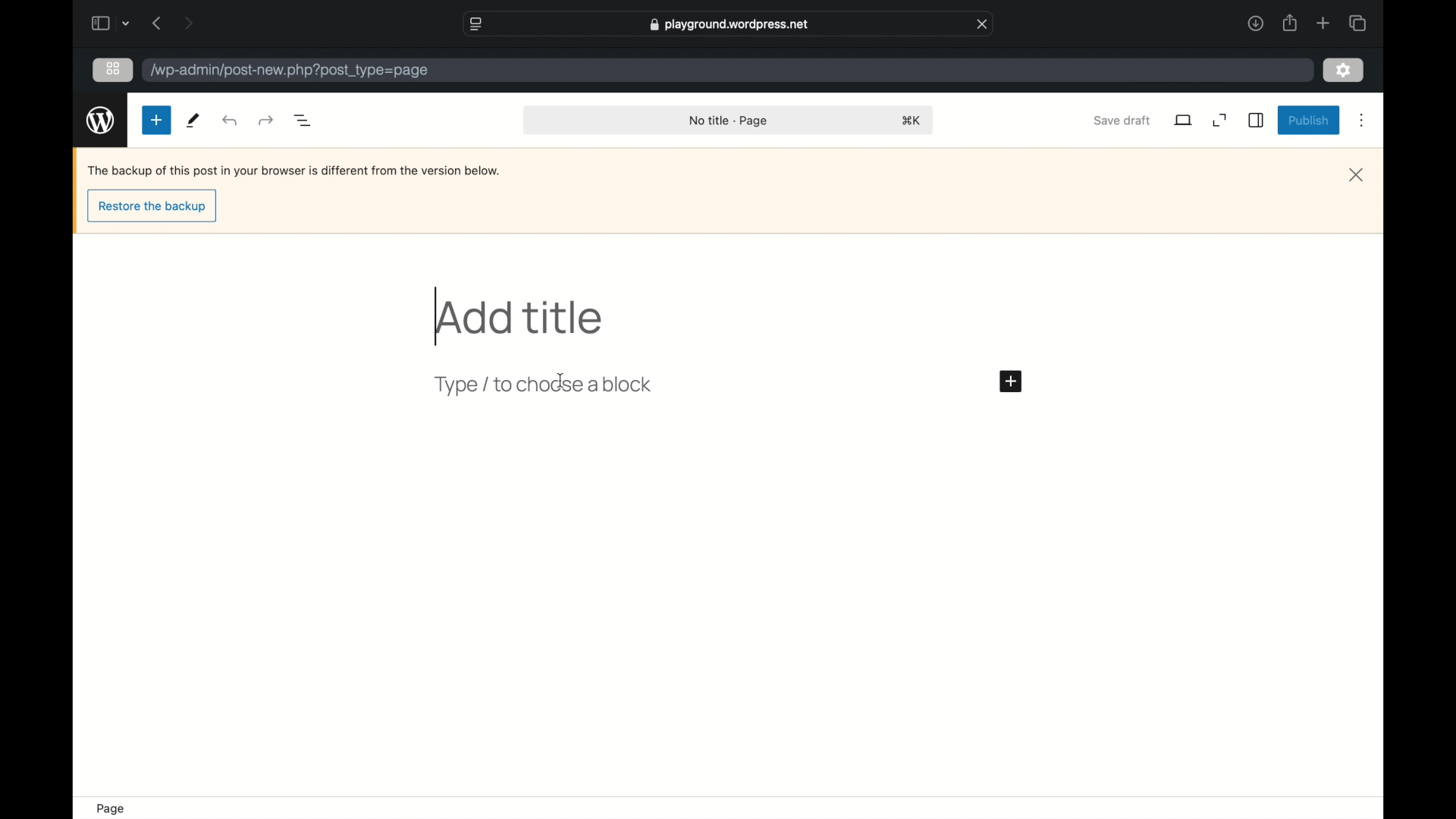 The width and height of the screenshot is (1456, 819). What do you see at coordinates (1121, 120) in the screenshot?
I see `save draft` at bounding box center [1121, 120].